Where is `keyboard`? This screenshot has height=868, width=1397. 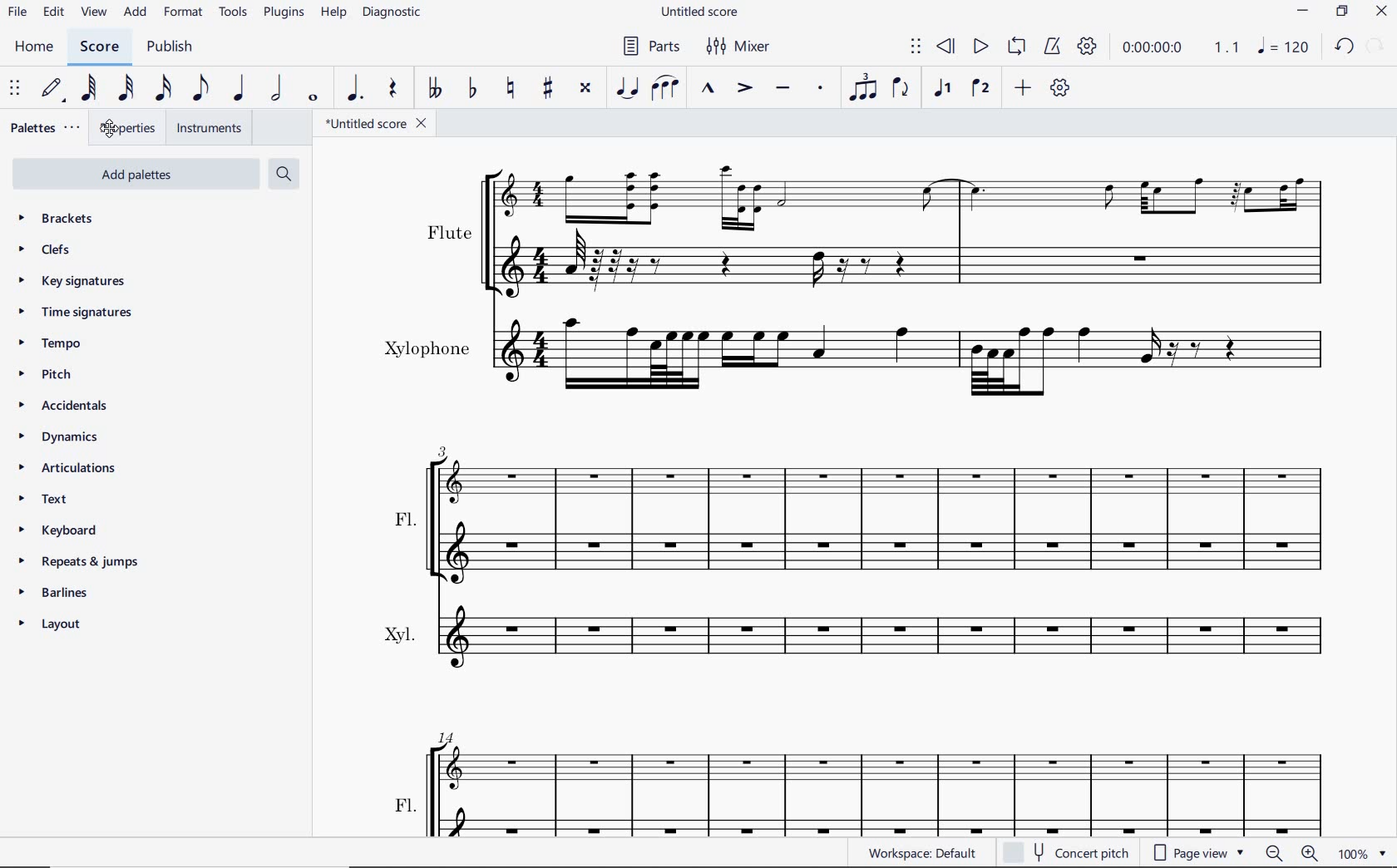
keyboard is located at coordinates (57, 532).